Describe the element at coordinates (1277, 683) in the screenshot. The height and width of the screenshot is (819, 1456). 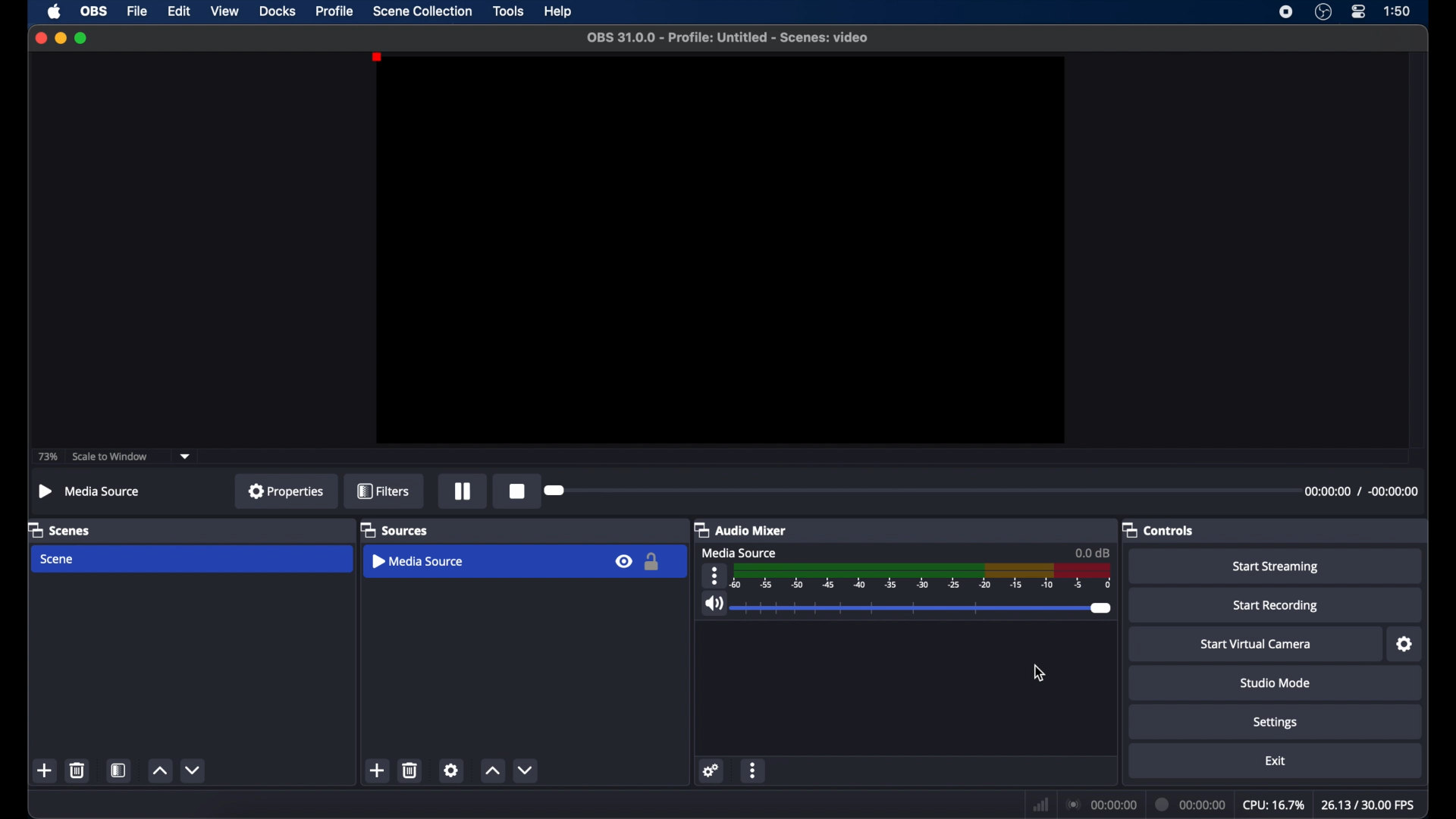
I see `studio mode` at that location.